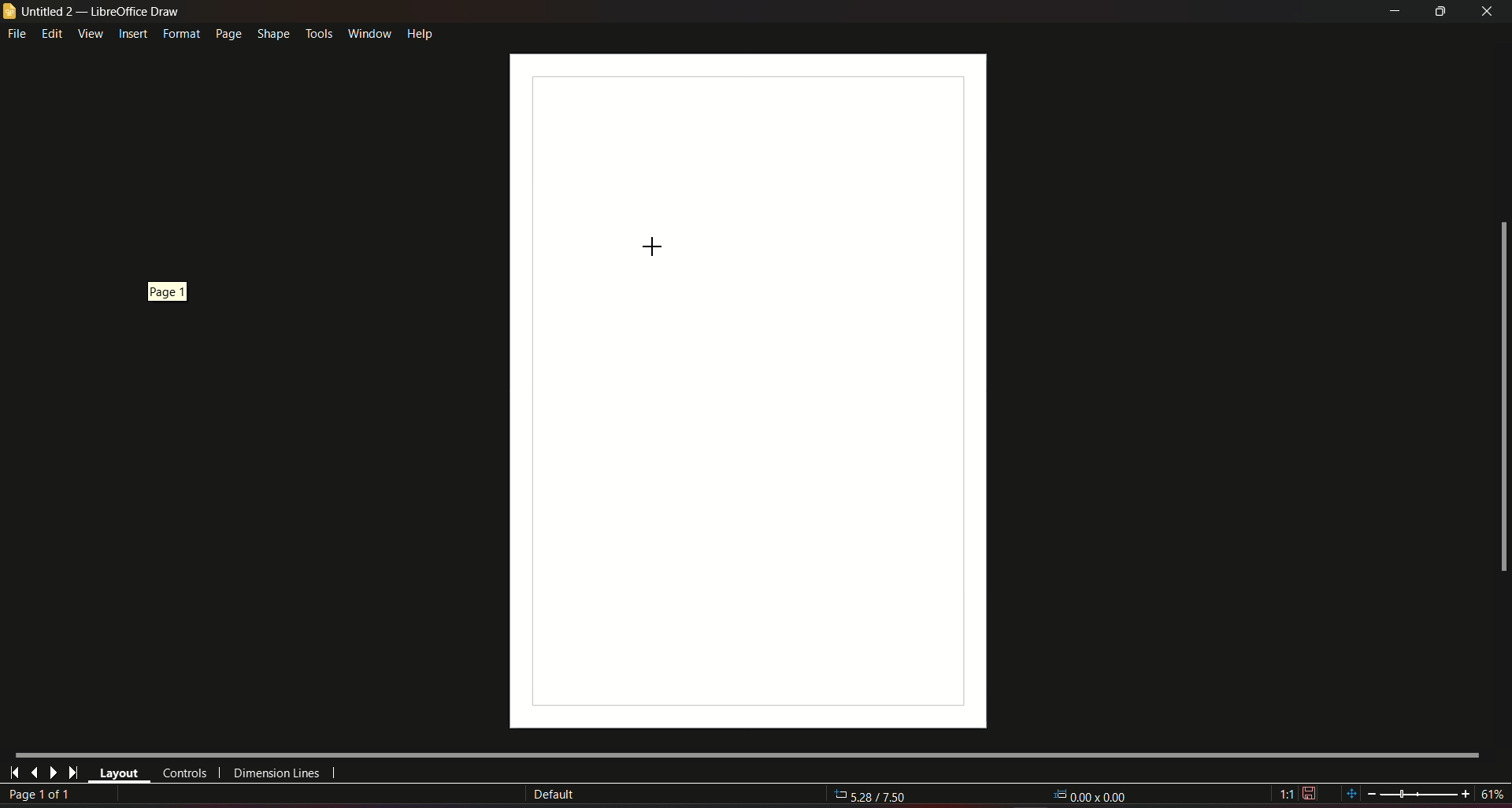 The width and height of the screenshot is (1512, 808). What do you see at coordinates (15, 771) in the screenshot?
I see `first page` at bounding box center [15, 771].